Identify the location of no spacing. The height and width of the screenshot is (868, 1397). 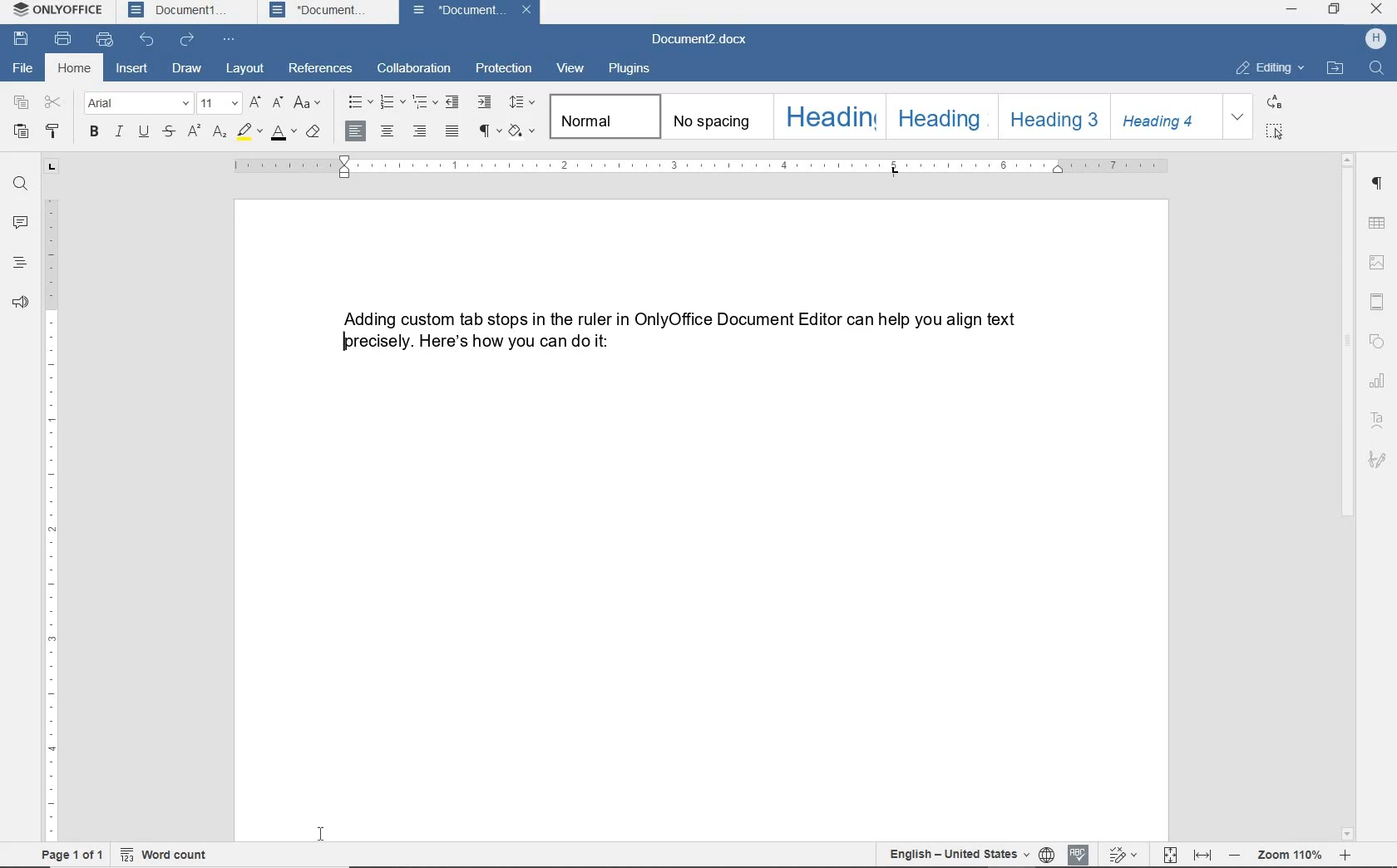
(713, 116).